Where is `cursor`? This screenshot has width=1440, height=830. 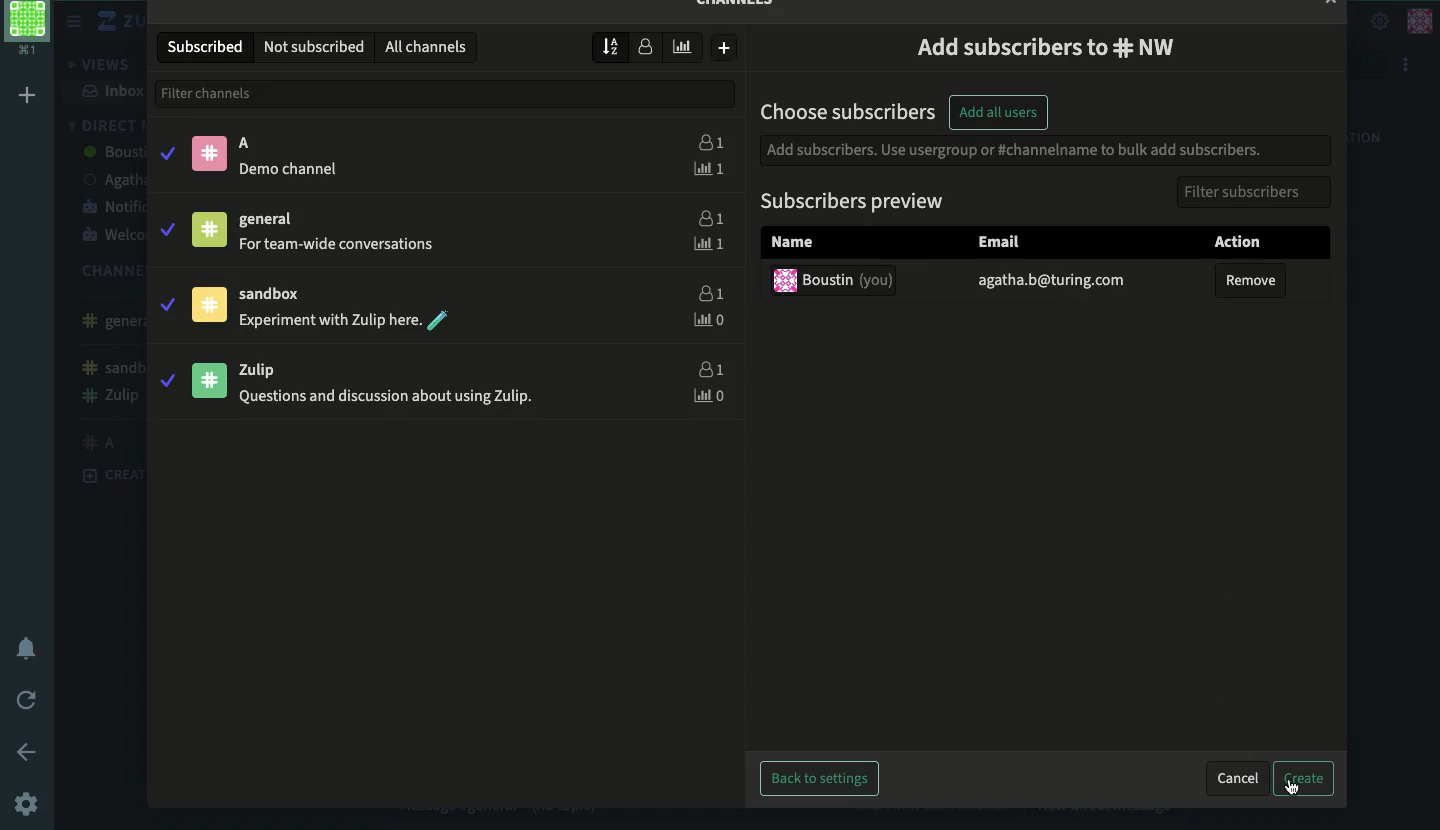
cursor is located at coordinates (1293, 793).